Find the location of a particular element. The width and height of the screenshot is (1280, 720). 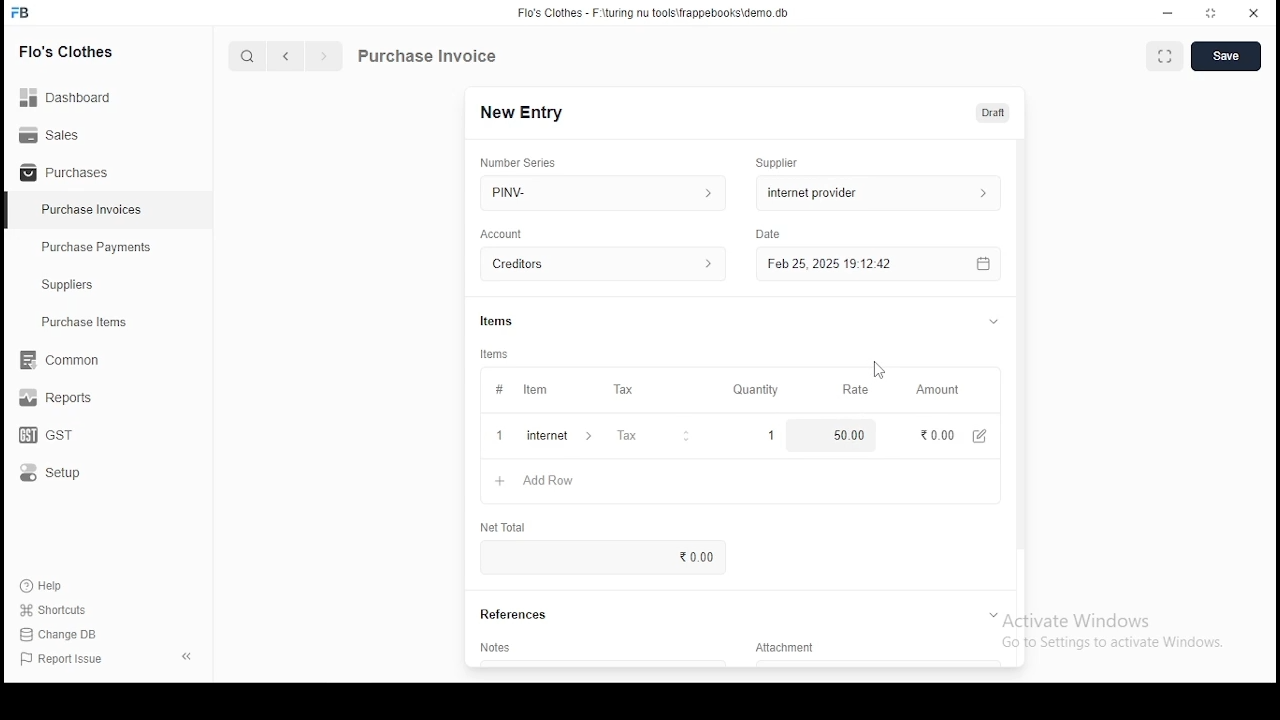

Supplier is located at coordinates (778, 163).